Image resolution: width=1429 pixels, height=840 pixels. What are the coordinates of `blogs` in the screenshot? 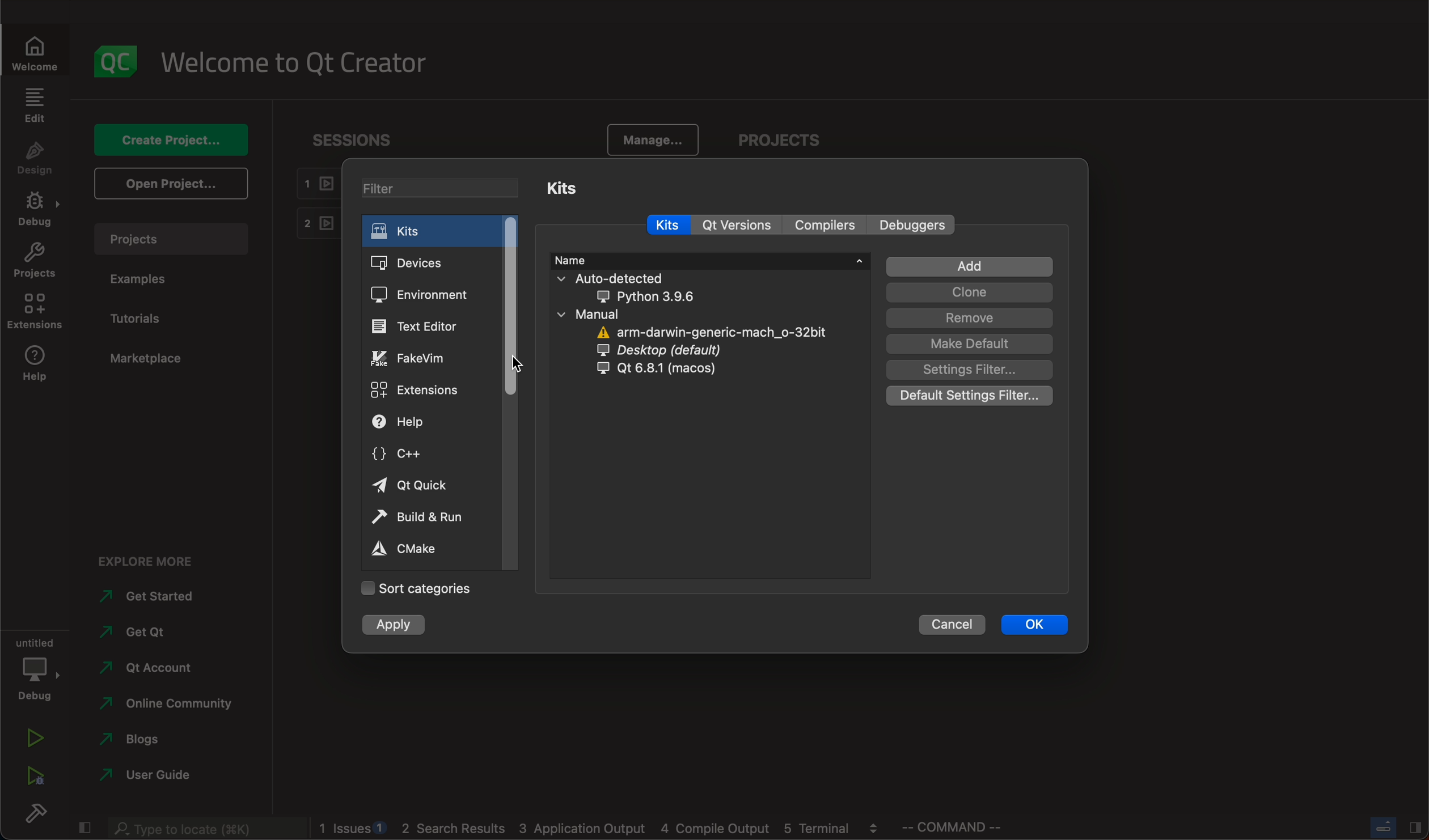 It's located at (164, 740).